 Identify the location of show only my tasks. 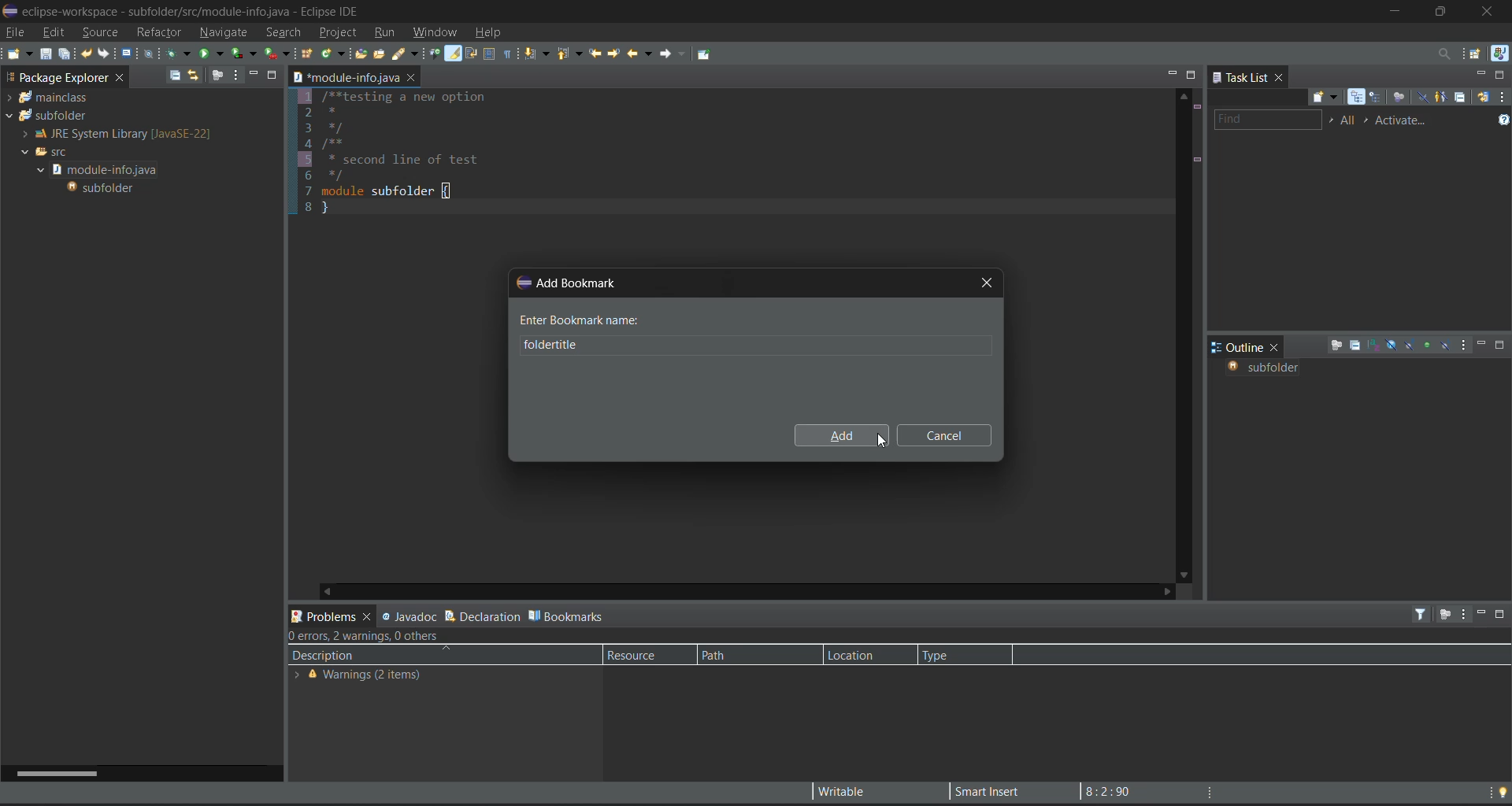
(1442, 97).